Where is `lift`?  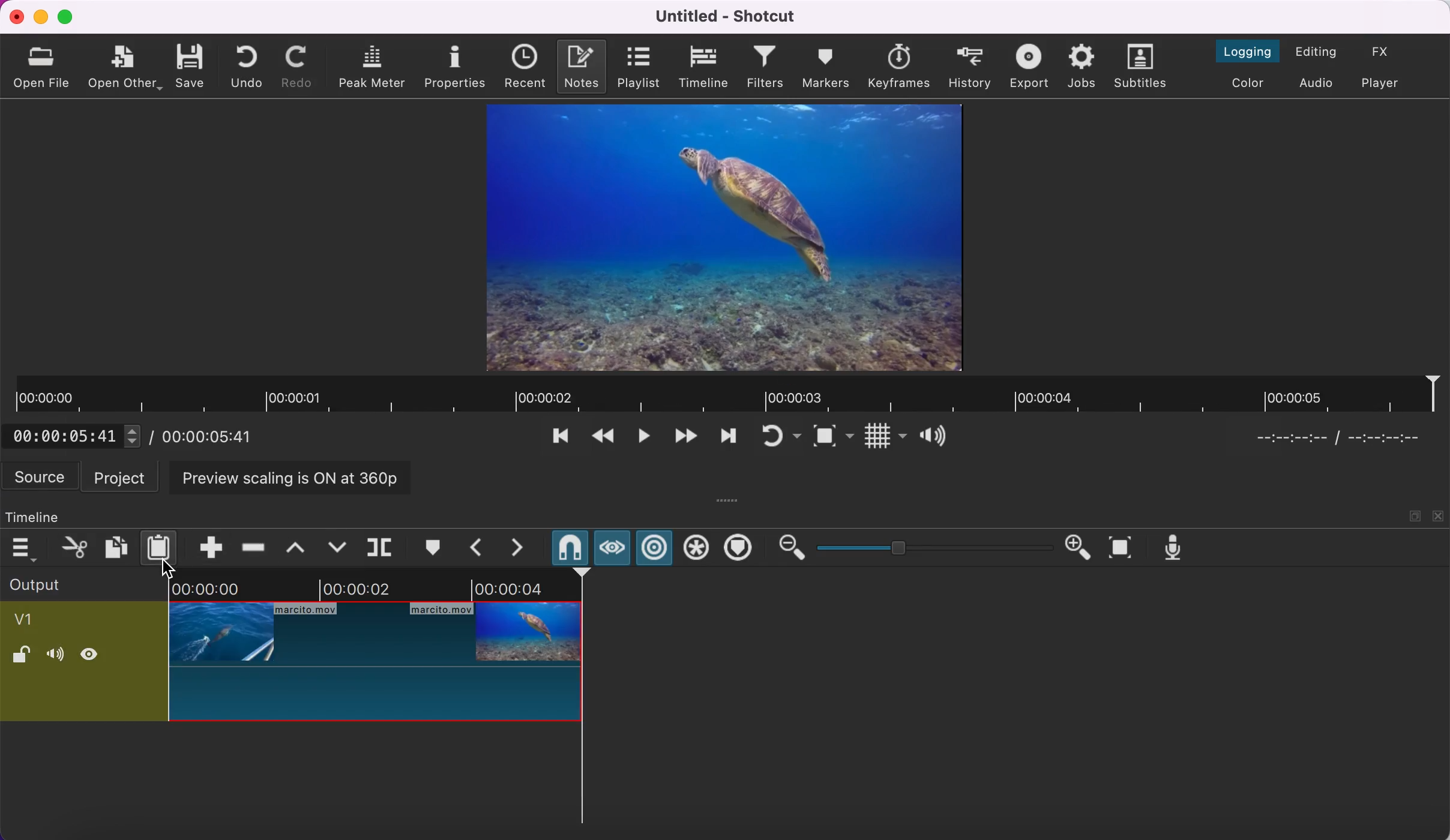 lift is located at coordinates (293, 548).